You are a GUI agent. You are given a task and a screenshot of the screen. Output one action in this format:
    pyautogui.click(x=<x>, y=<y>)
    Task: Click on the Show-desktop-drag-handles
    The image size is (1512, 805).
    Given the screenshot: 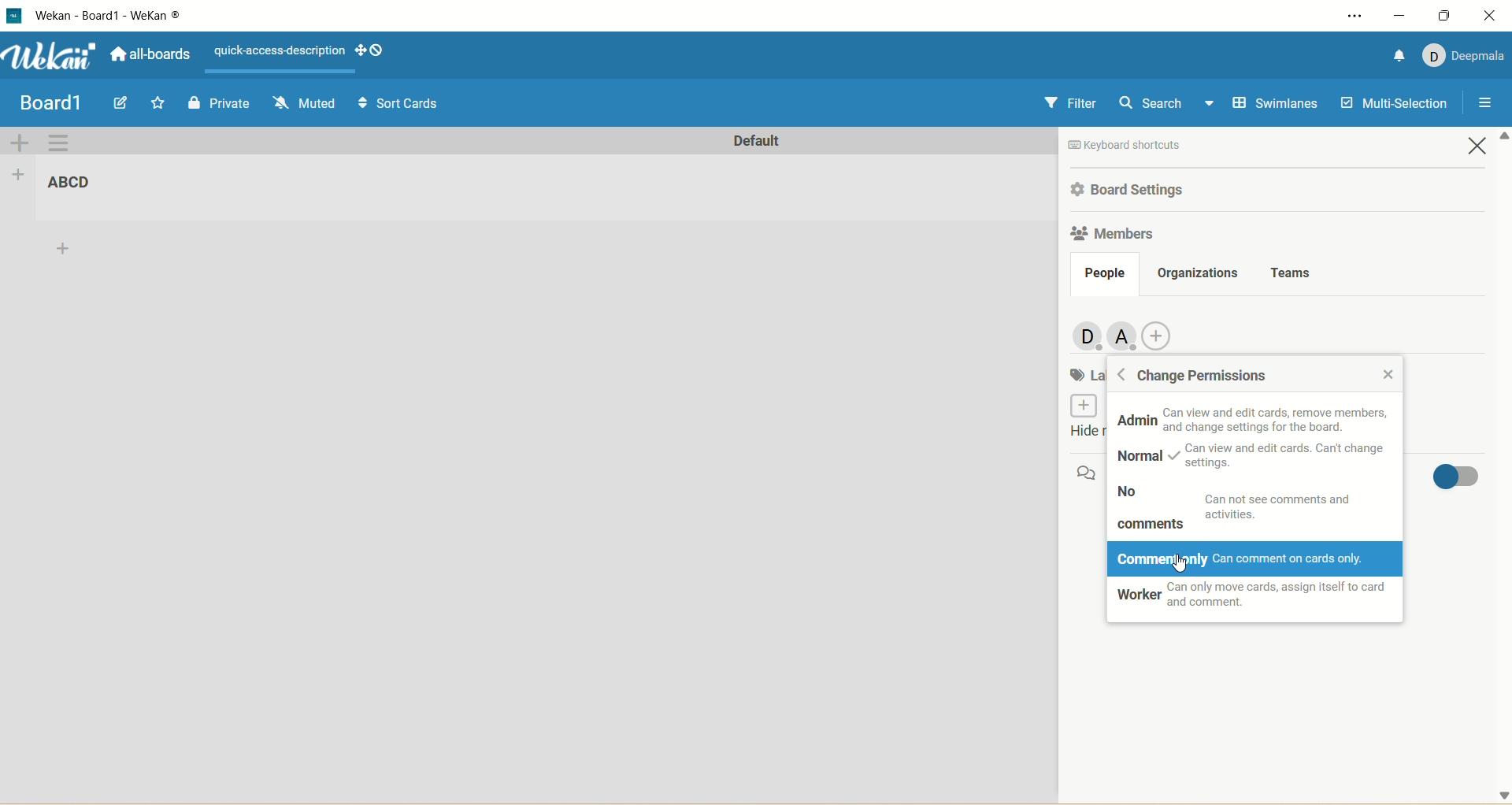 What is the action you would take?
    pyautogui.click(x=380, y=50)
    